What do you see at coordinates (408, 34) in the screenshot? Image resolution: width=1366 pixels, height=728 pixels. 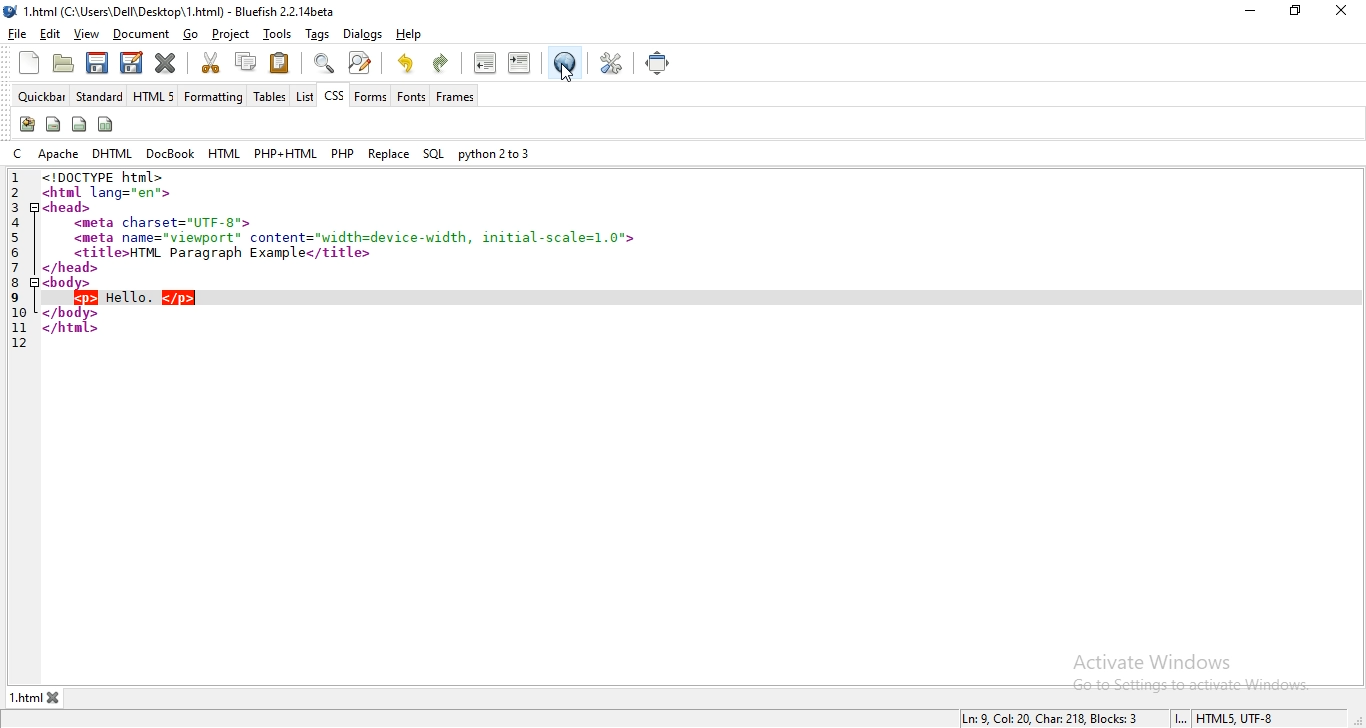 I see `help` at bounding box center [408, 34].